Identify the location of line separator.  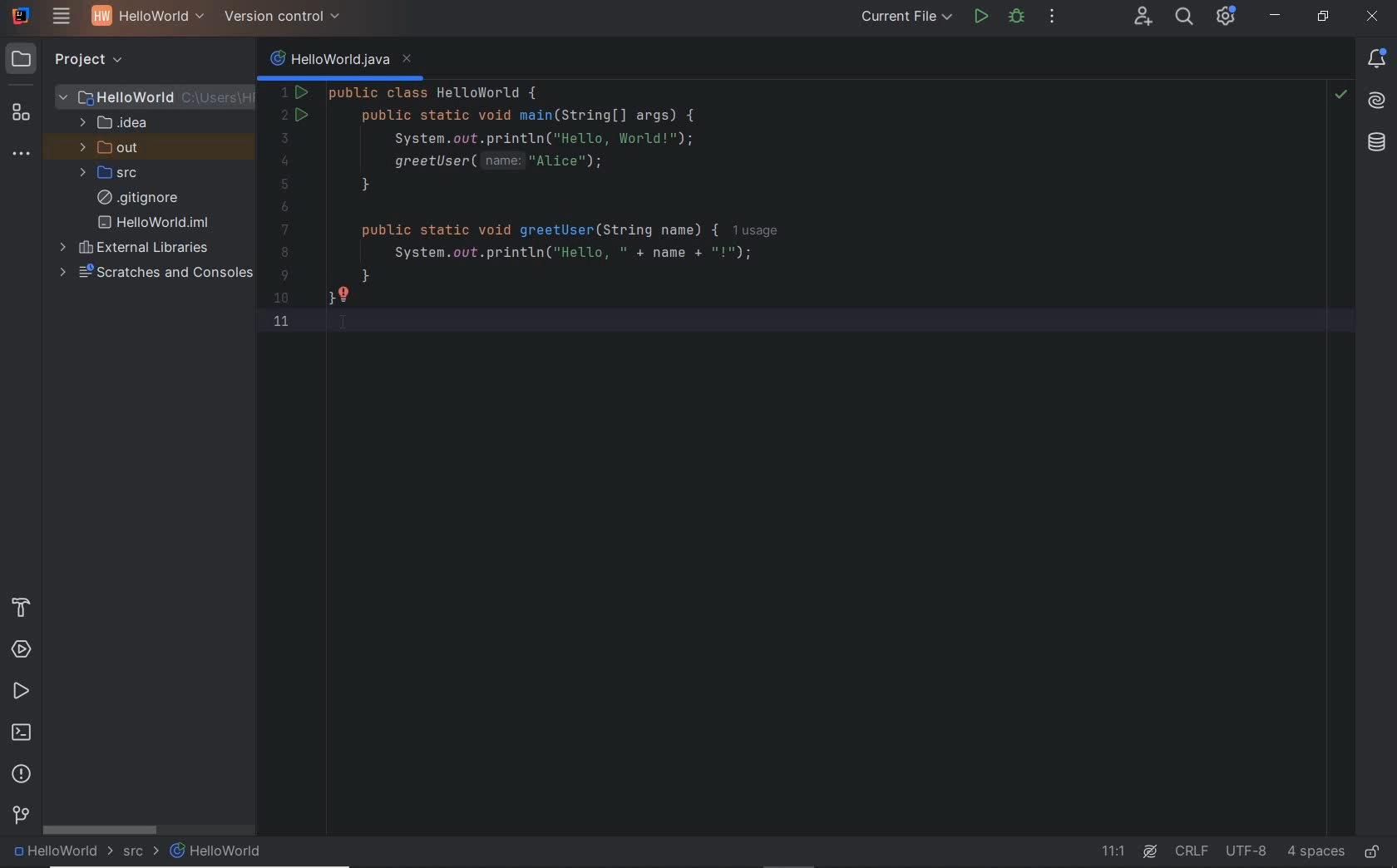
(1194, 851).